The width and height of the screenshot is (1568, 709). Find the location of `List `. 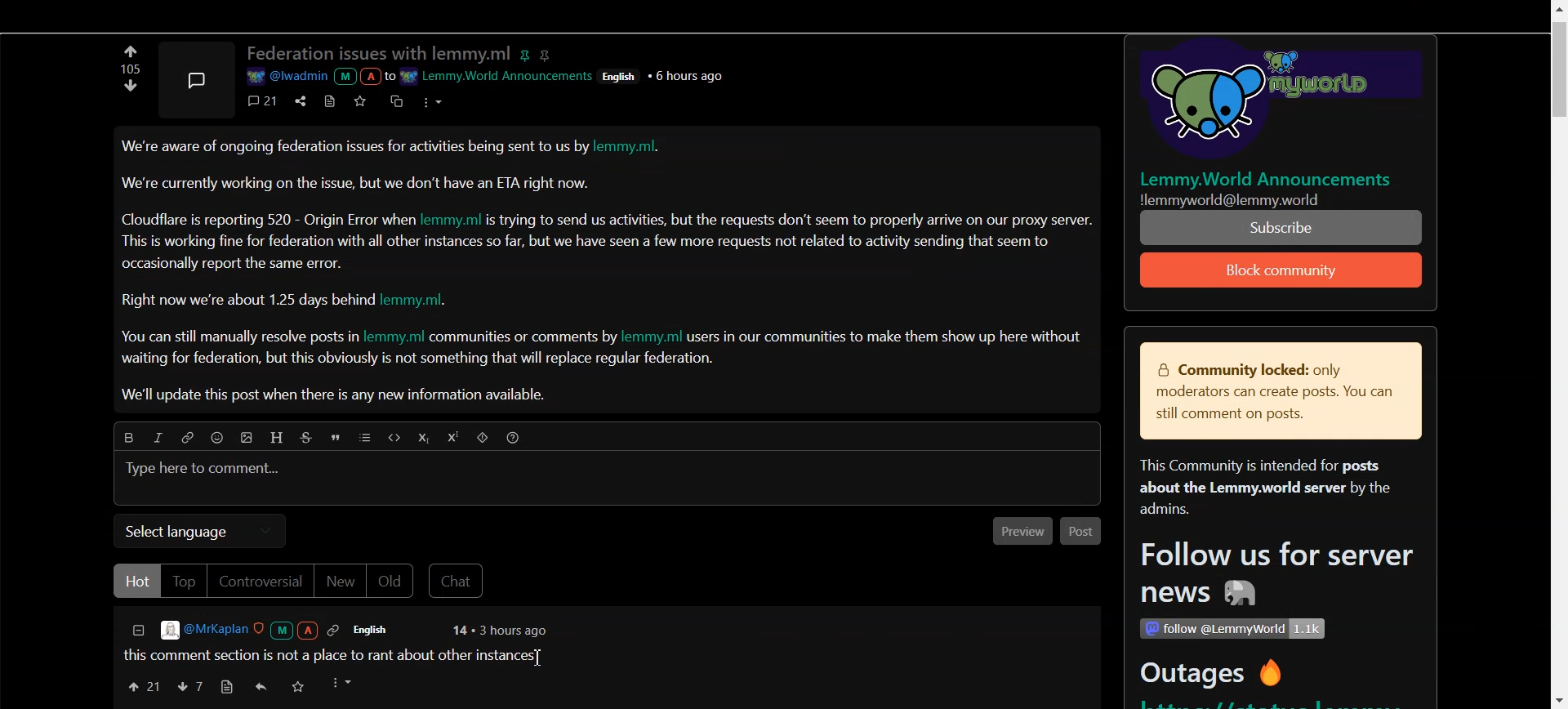

List  is located at coordinates (366, 439).